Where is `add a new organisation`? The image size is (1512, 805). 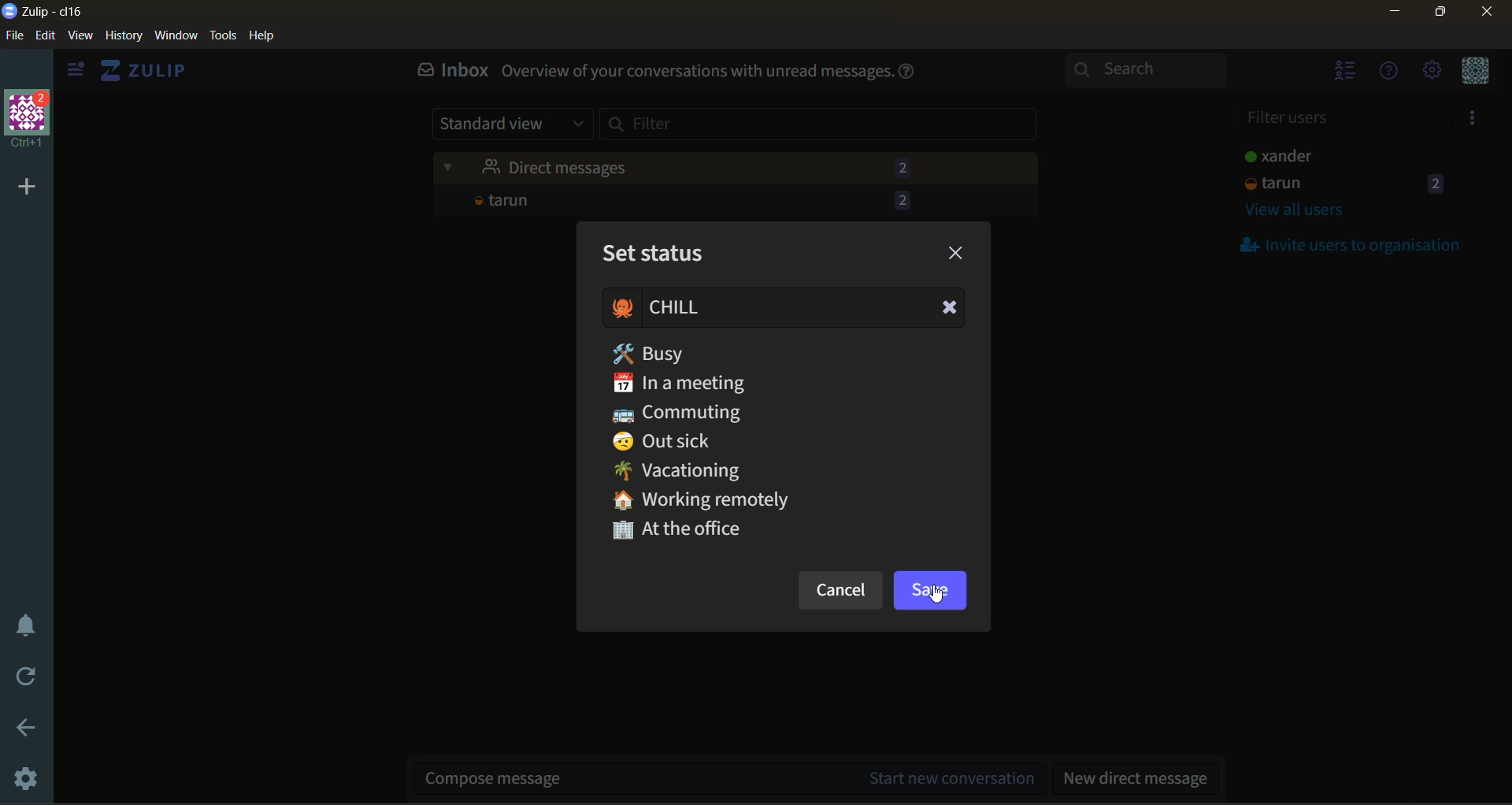 add a new organisation is located at coordinates (25, 184).